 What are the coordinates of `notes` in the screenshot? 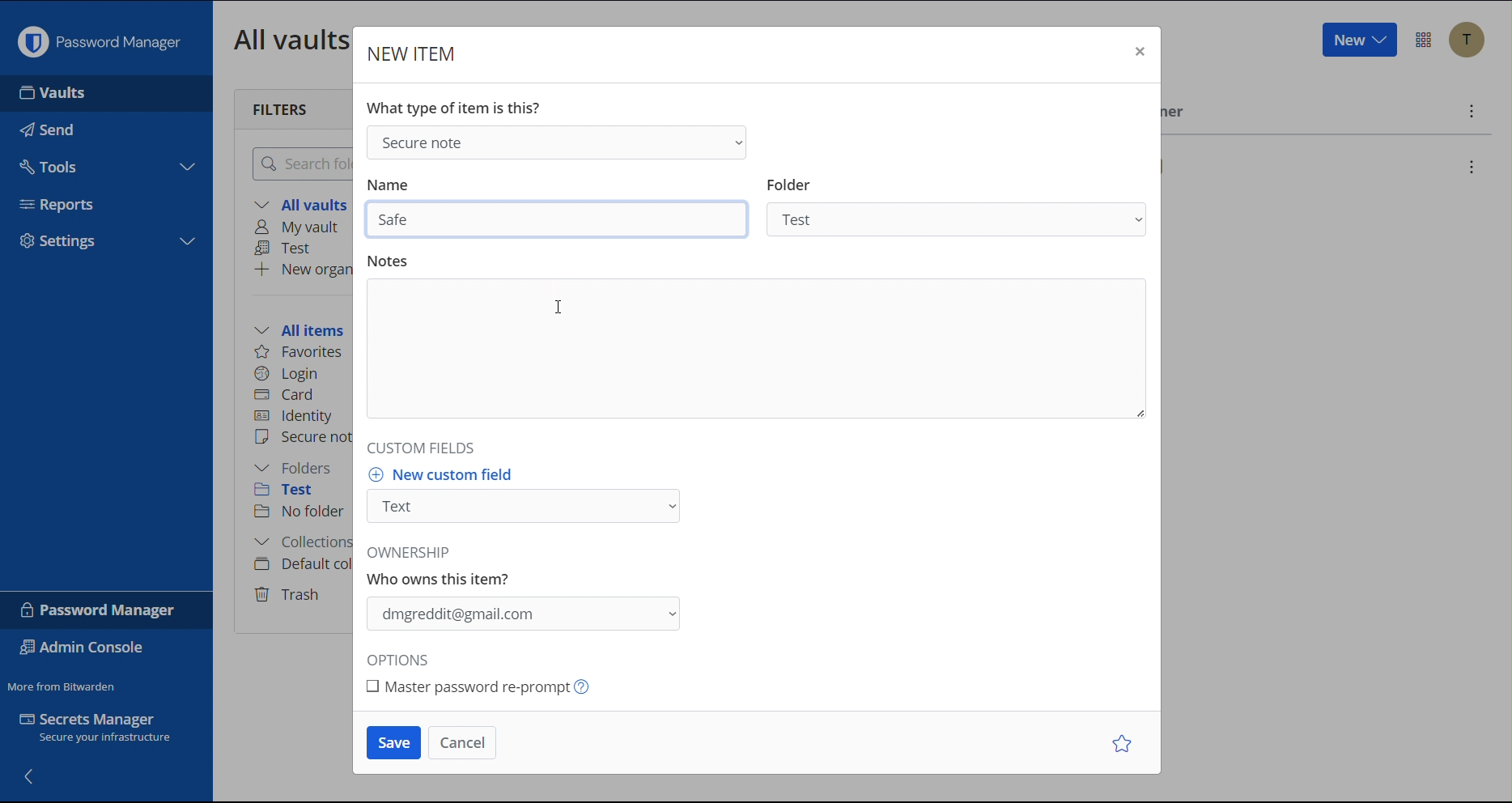 It's located at (389, 260).